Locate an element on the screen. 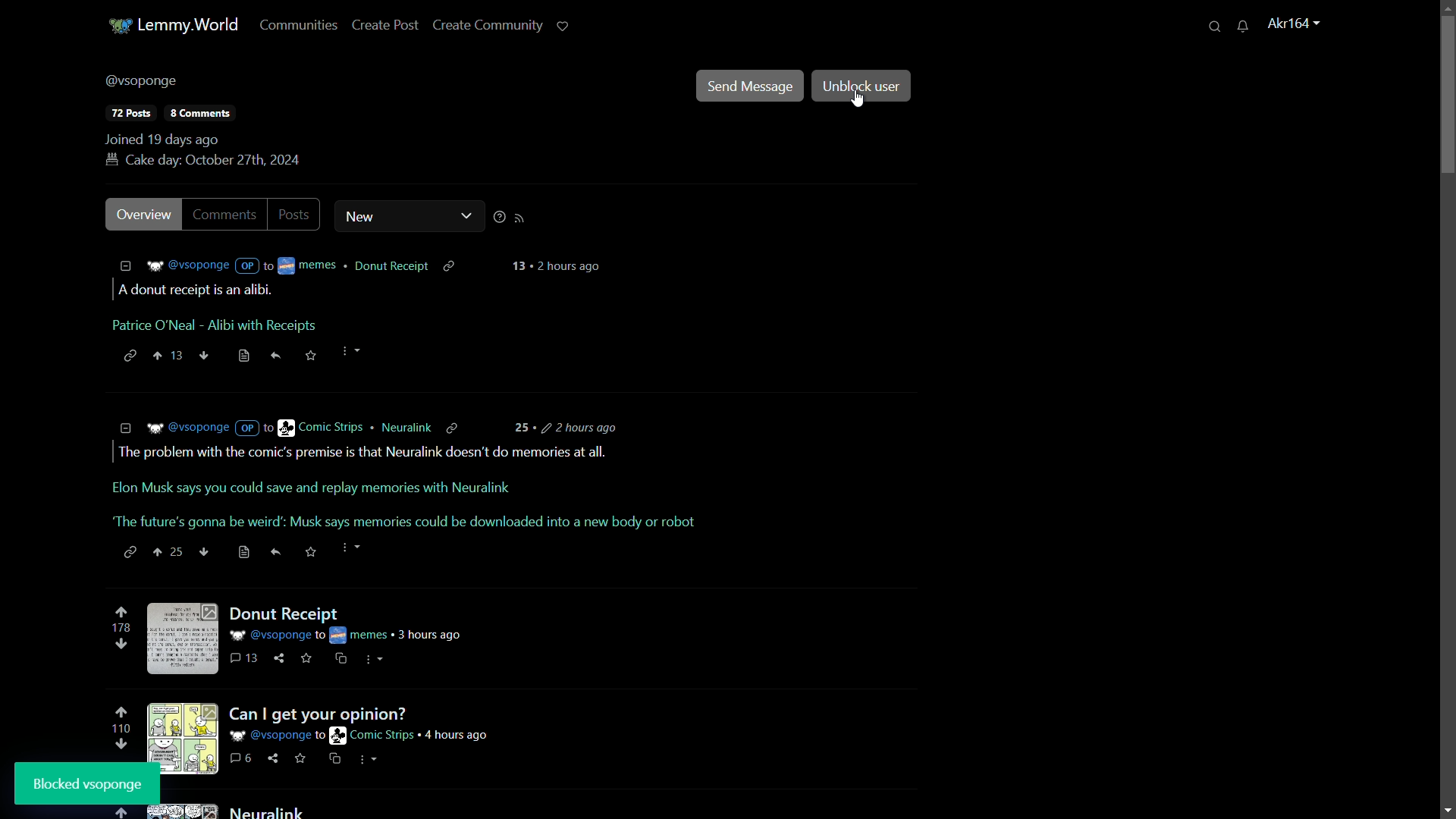 The width and height of the screenshot is (1456, 819). details is located at coordinates (276, 427).